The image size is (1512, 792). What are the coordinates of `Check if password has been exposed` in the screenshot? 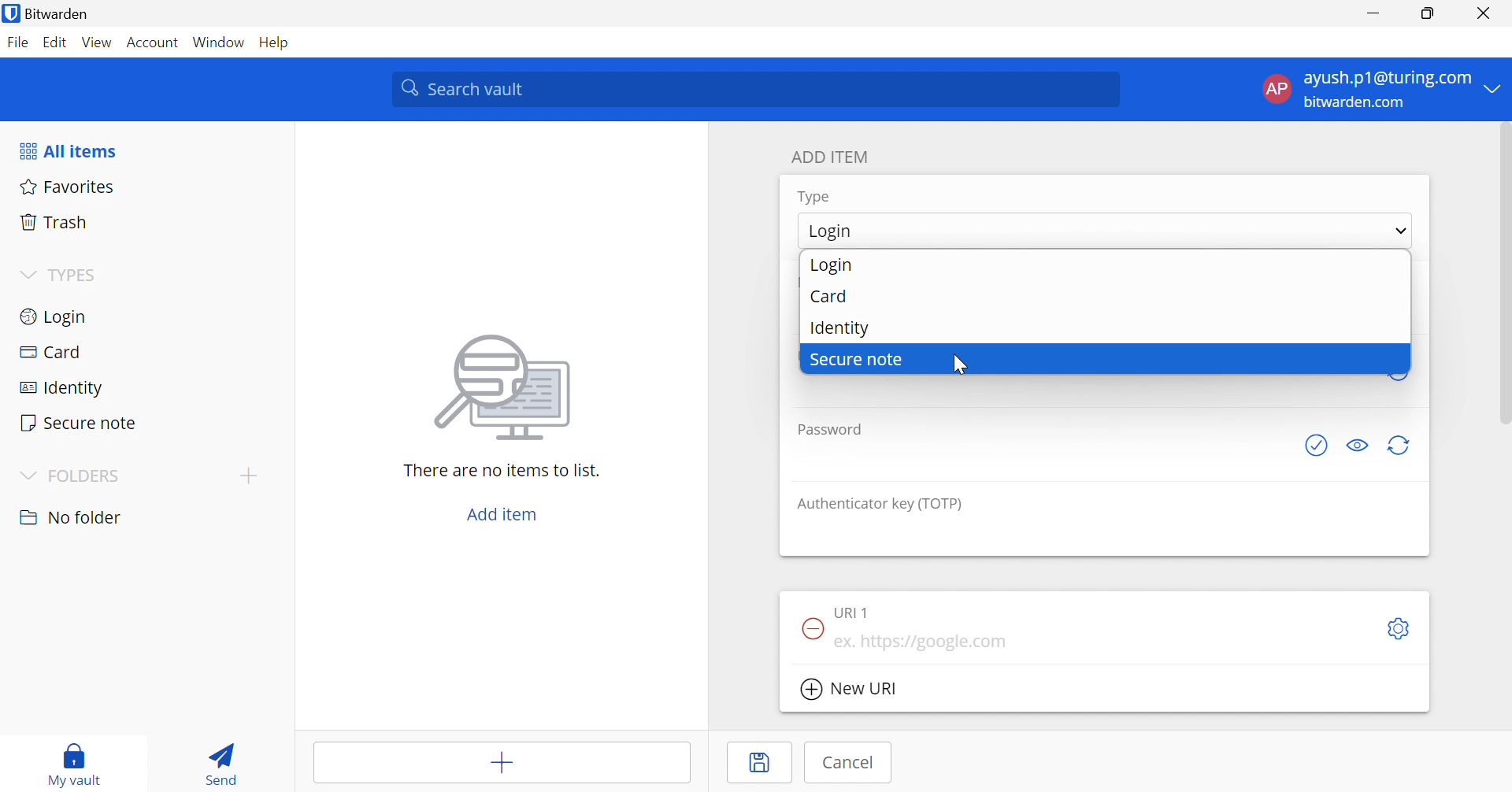 It's located at (1317, 446).